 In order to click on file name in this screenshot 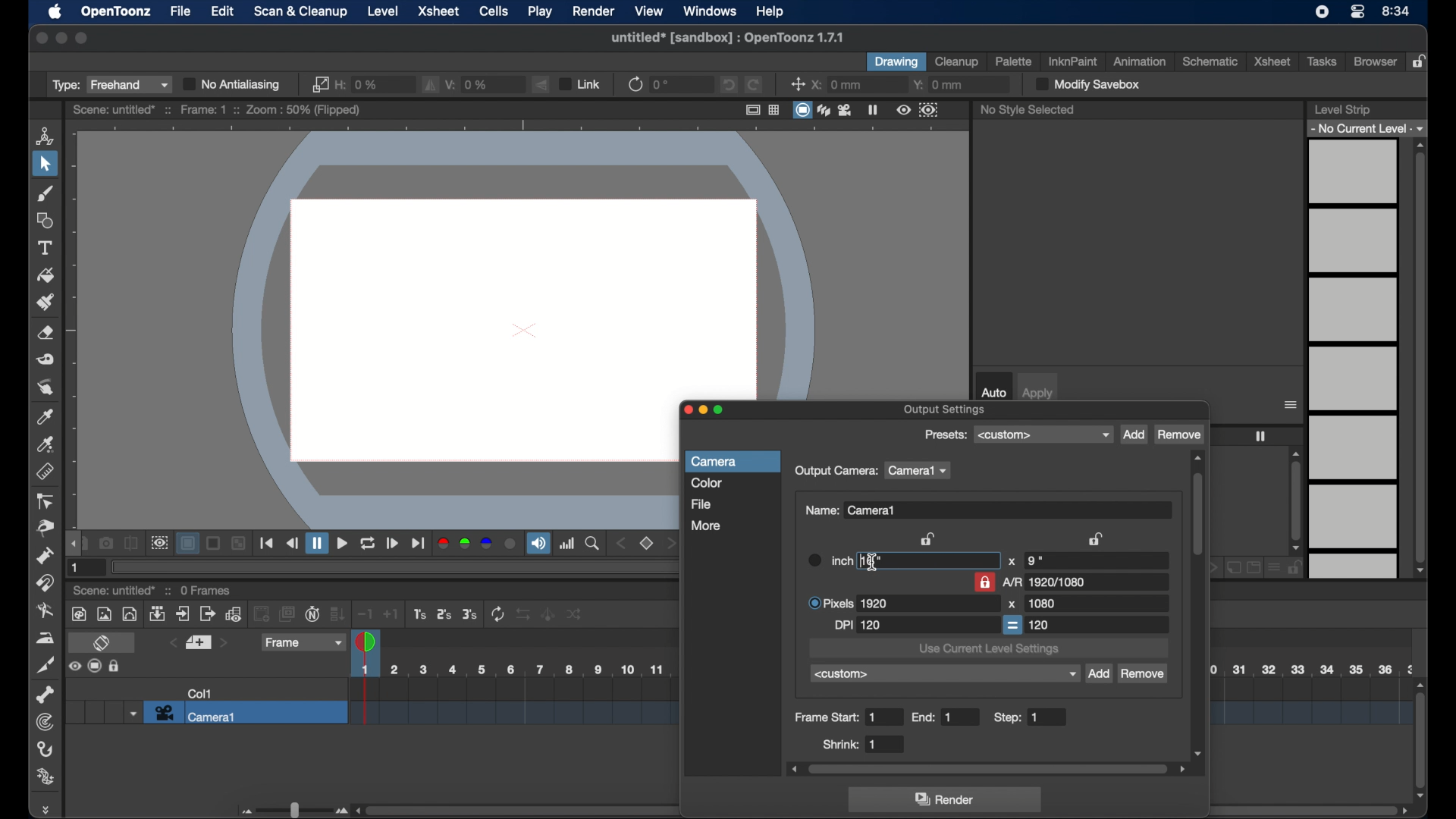, I will do `click(726, 37)`.